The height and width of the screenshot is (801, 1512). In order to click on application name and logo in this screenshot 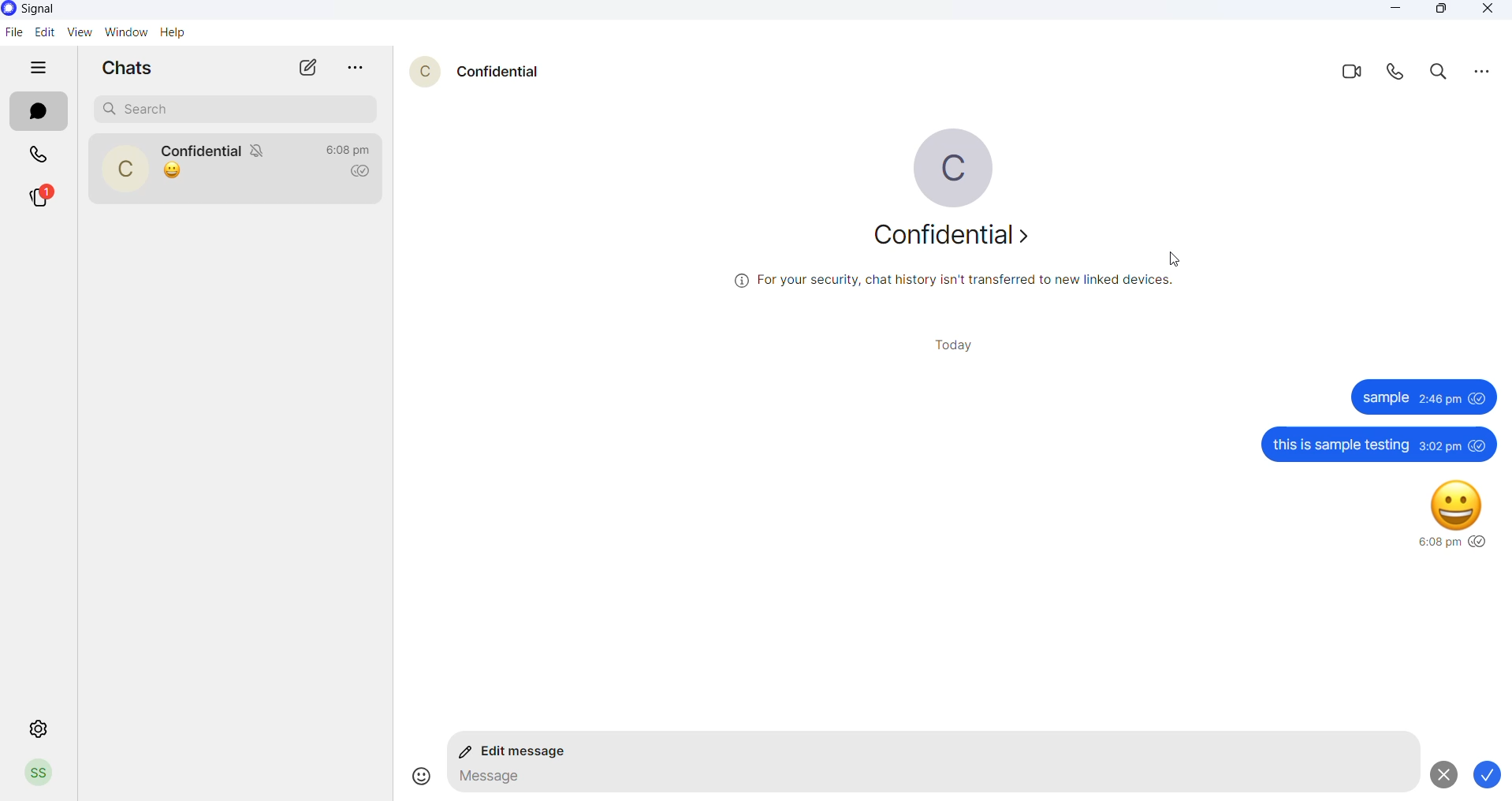, I will do `click(50, 9)`.